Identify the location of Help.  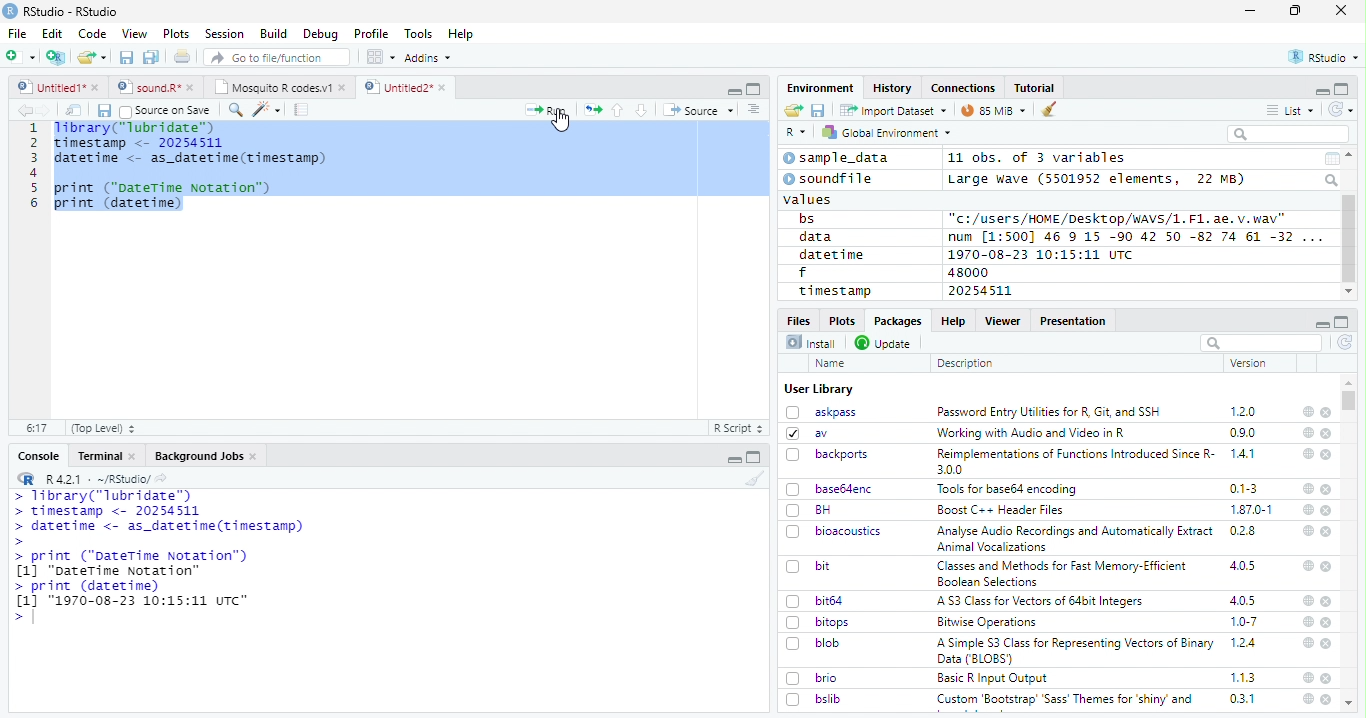
(952, 320).